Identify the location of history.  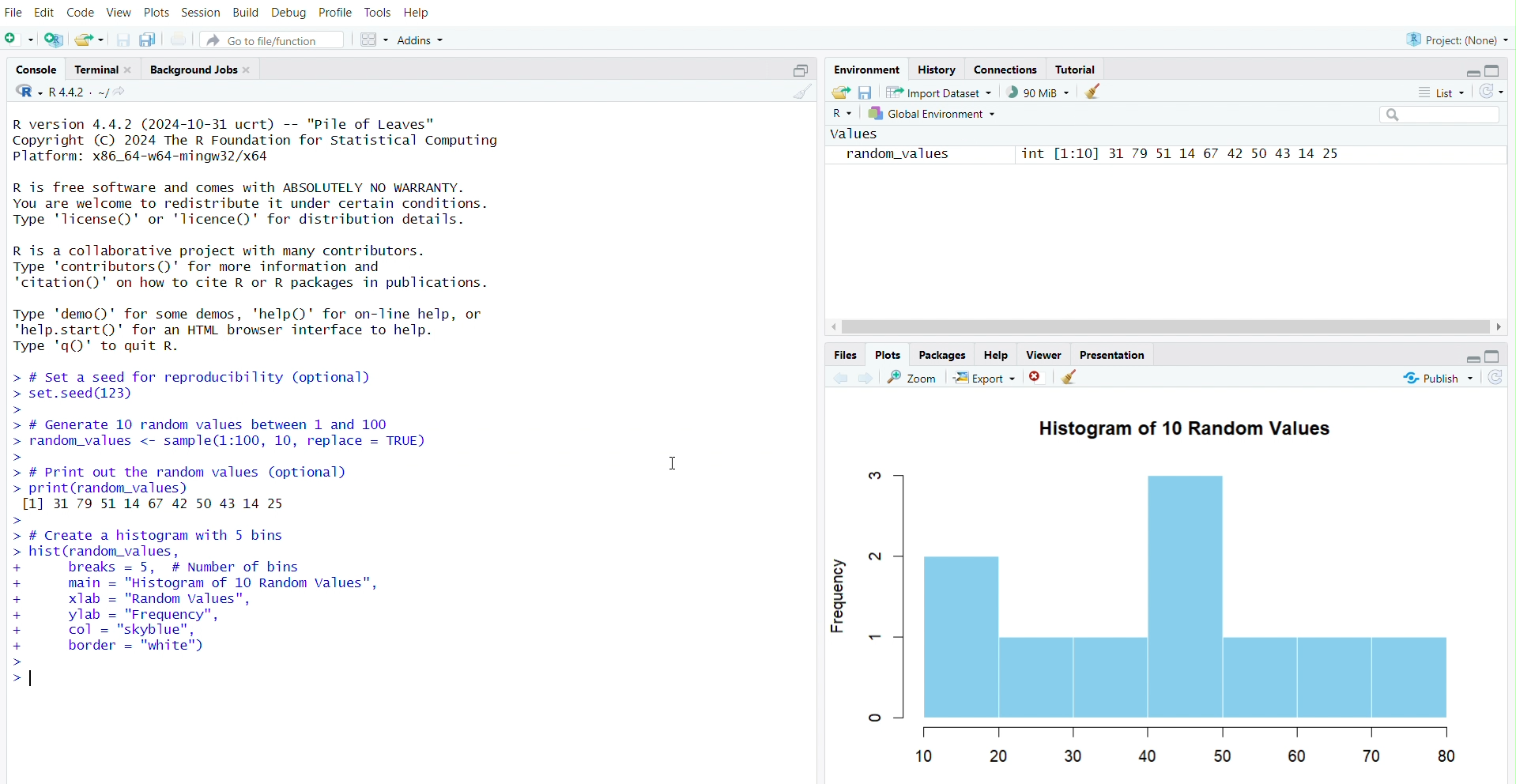
(938, 68).